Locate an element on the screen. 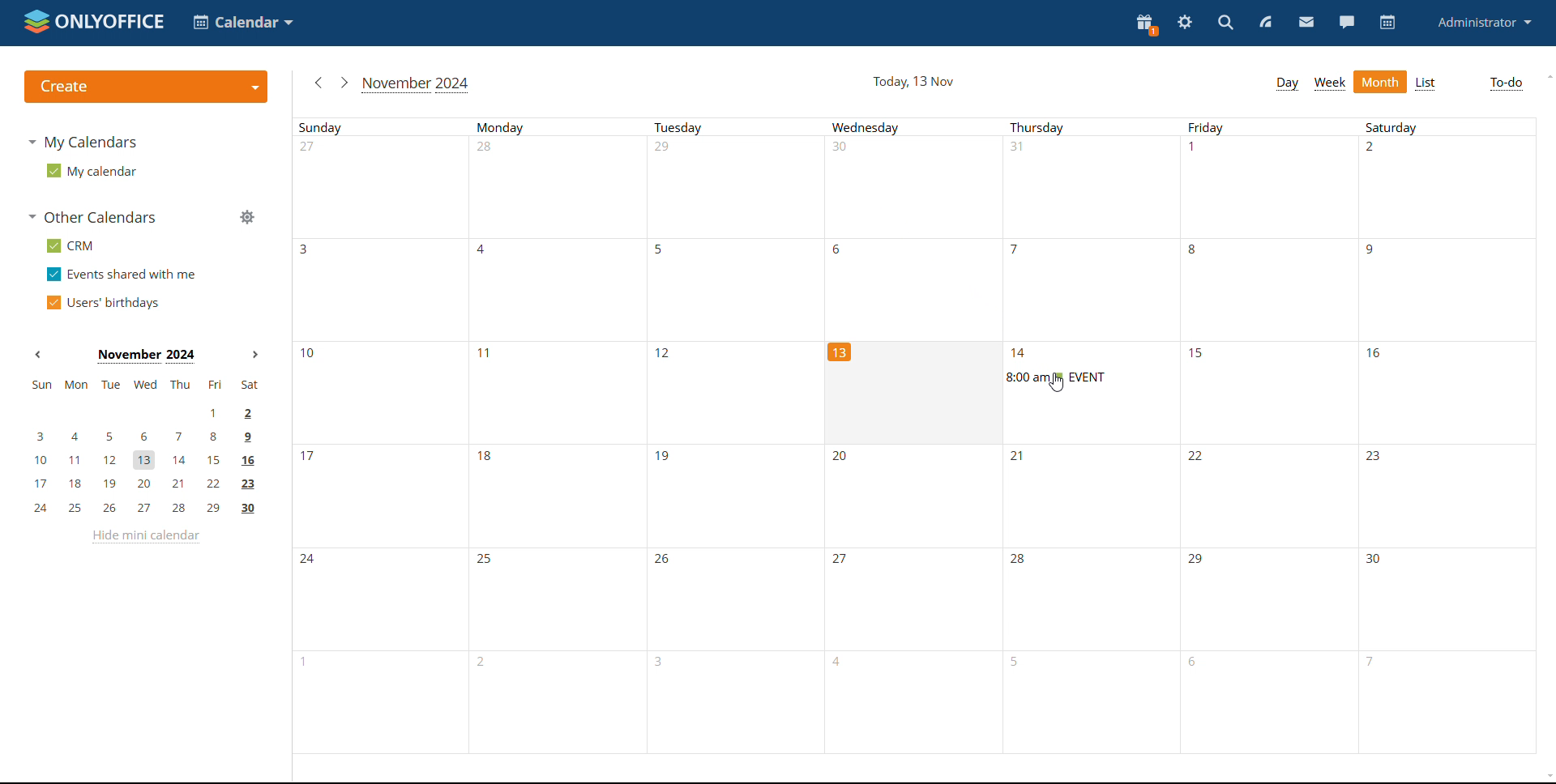  10, 11, 12, 13, 14, 15, 16 is located at coordinates (153, 457).